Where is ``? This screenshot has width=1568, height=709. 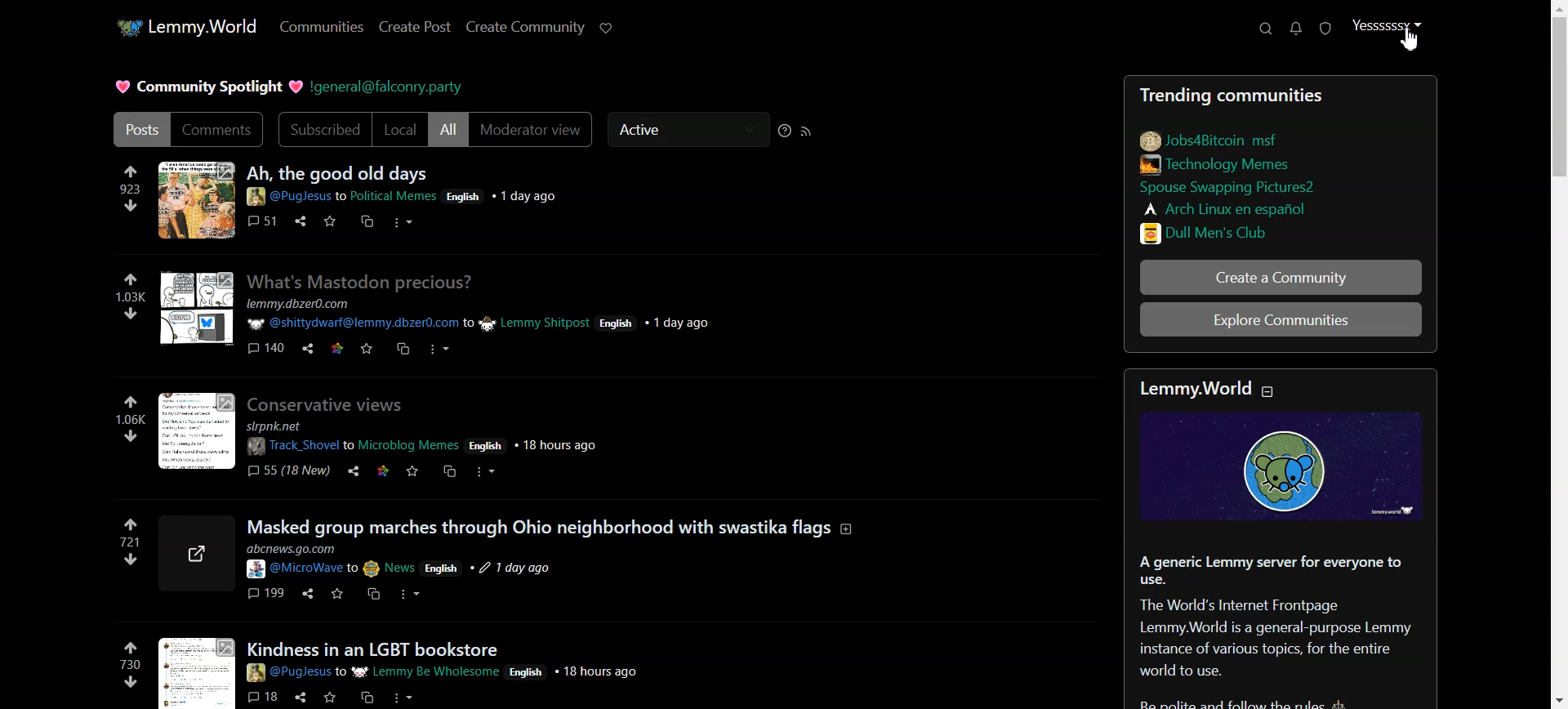
 is located at coordinates (197, 306).